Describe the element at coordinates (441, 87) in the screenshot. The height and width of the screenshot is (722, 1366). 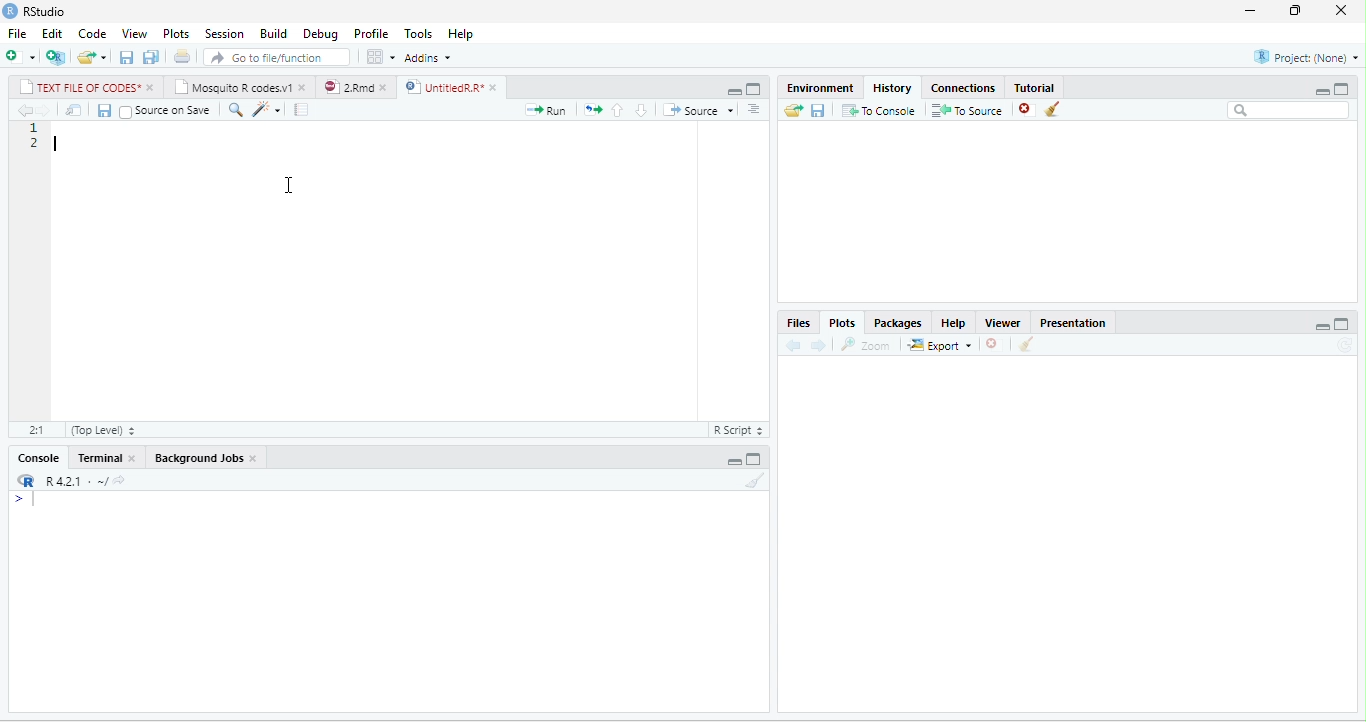
I see `UntitledR.R` at that location.